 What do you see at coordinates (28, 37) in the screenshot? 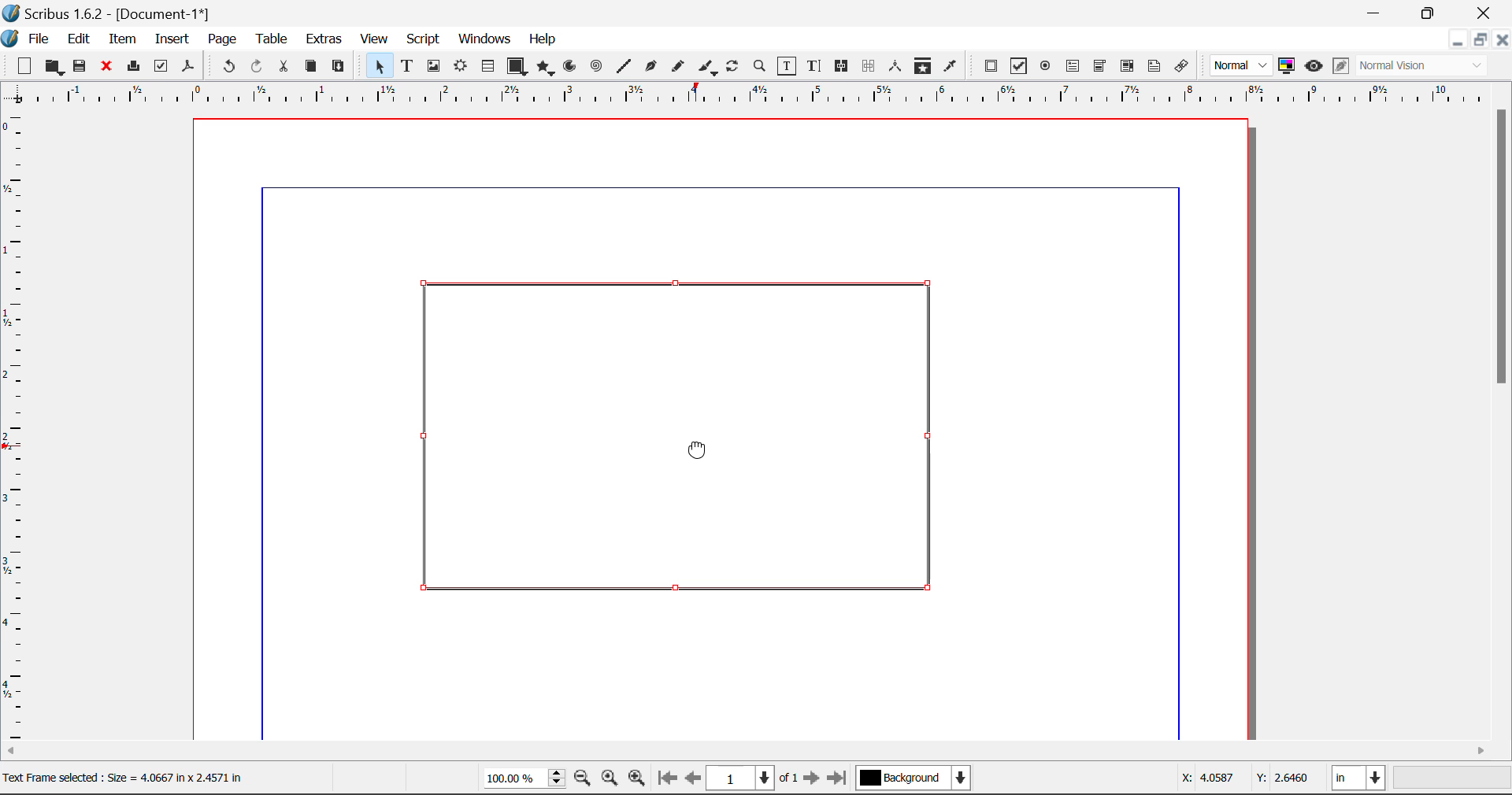
I see `File` at bounding box center [28, 37].